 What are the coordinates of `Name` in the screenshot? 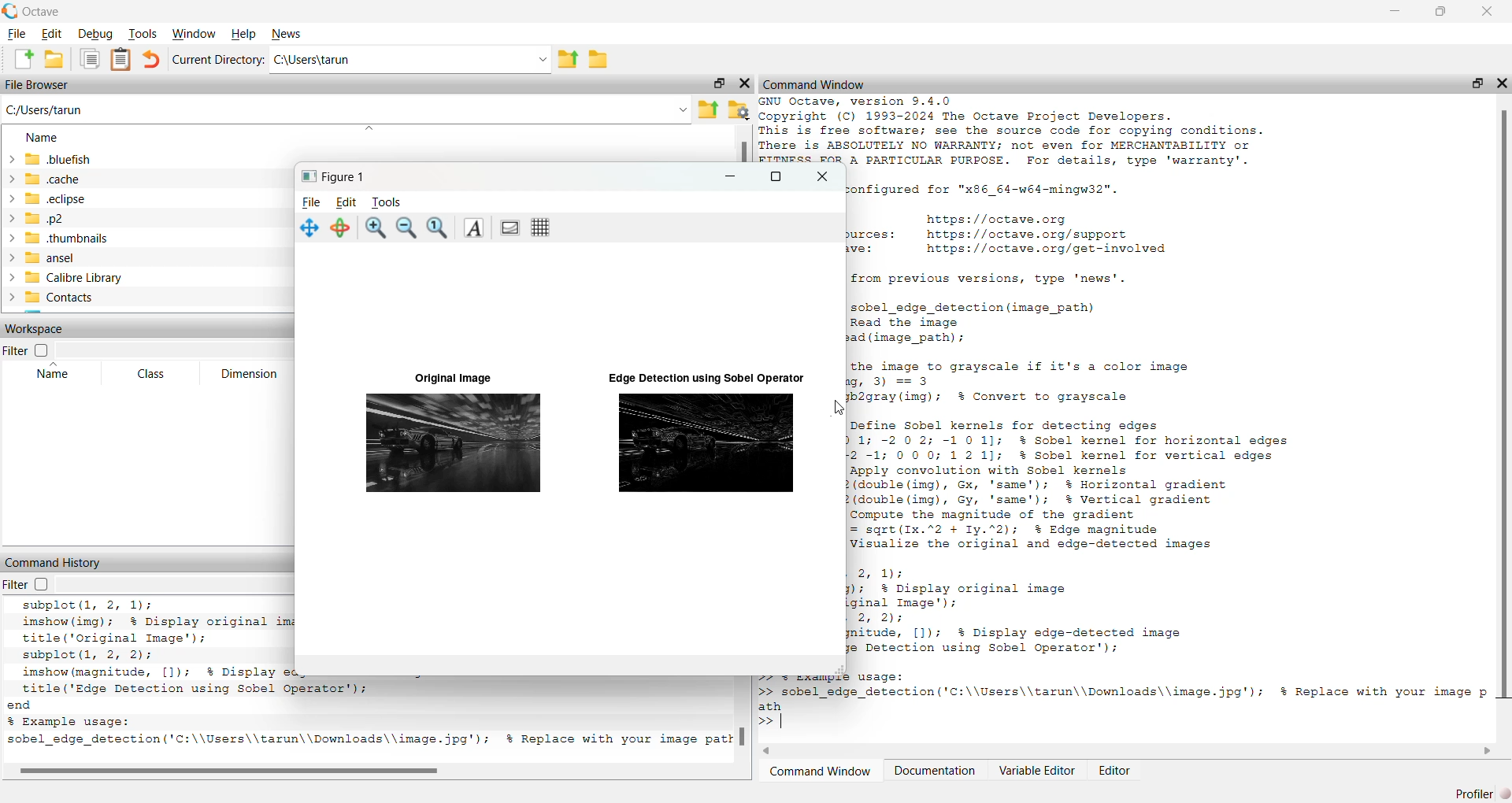 It's located at (43, 138).